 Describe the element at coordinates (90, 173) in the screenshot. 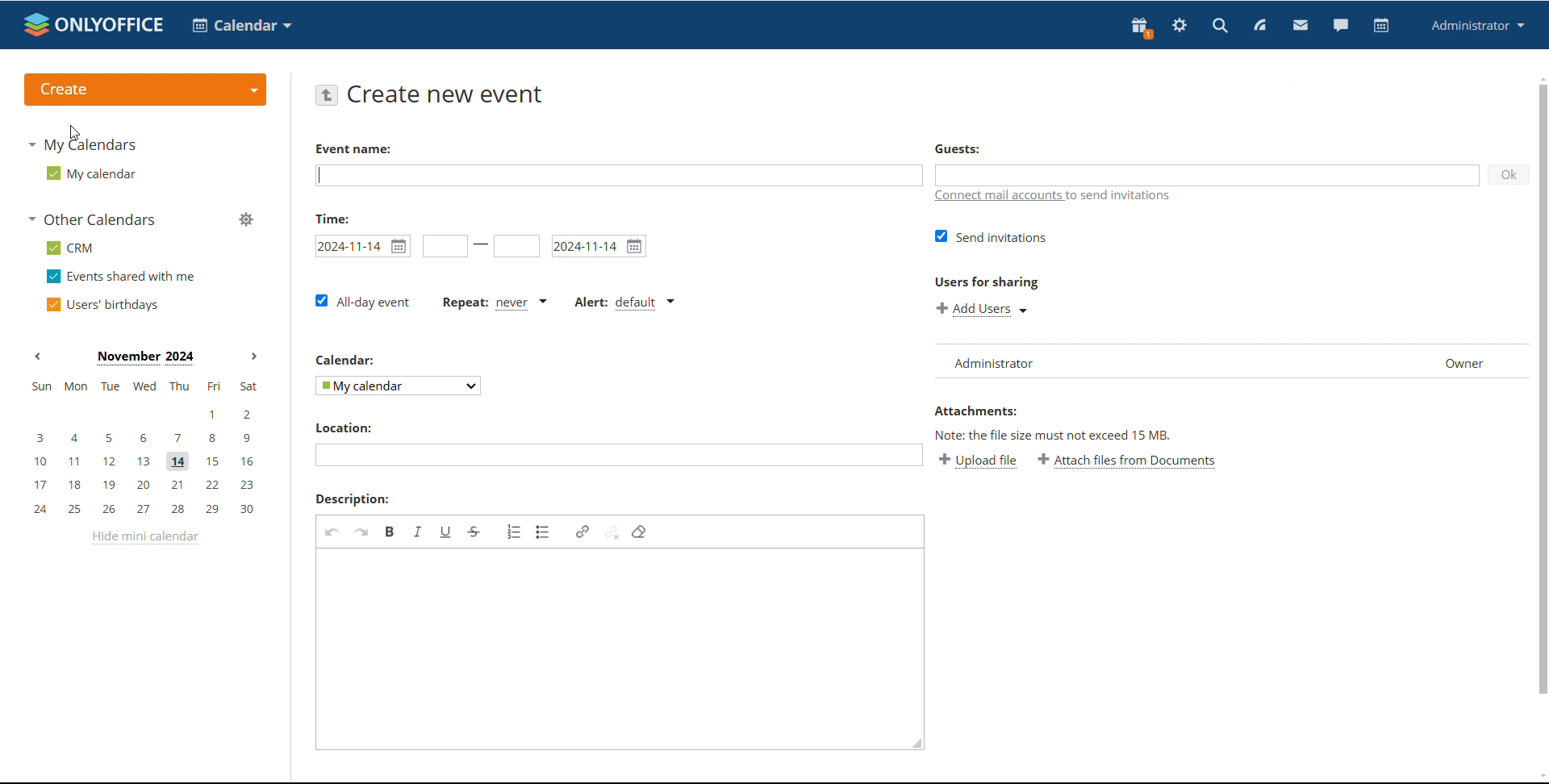

I see `my calendar` at that location.